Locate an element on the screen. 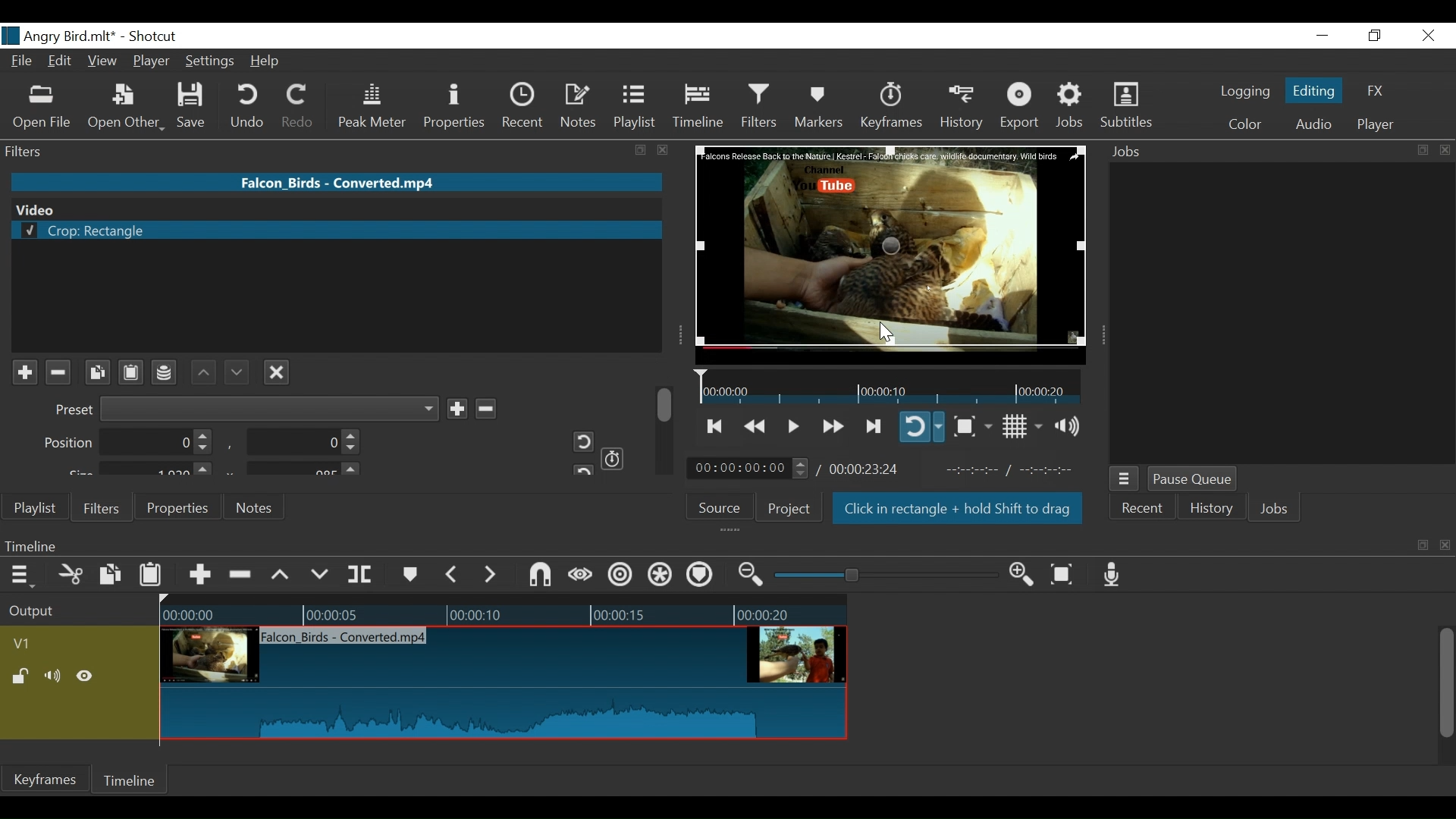 This screenshot has height=819, width=1456. Jobs is located at coordinates (1131, 152).